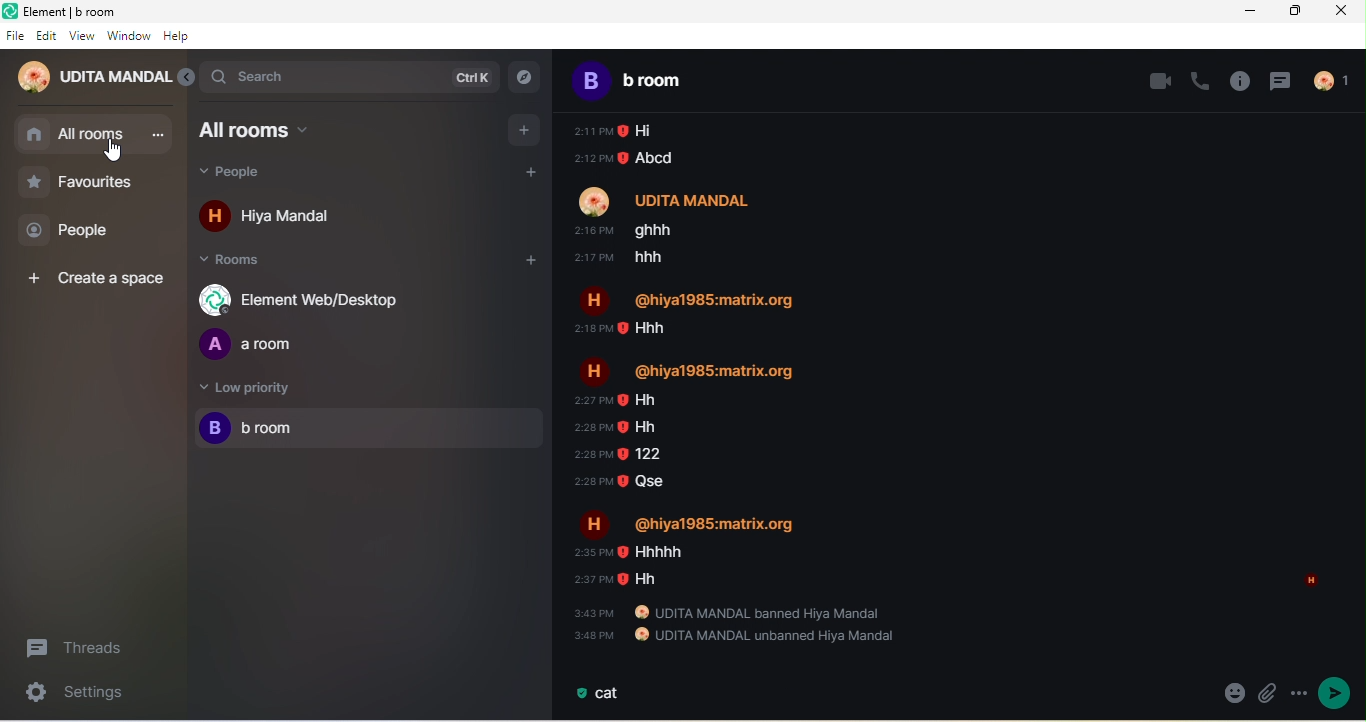  I want to click on all rooms, so click(74, 136).